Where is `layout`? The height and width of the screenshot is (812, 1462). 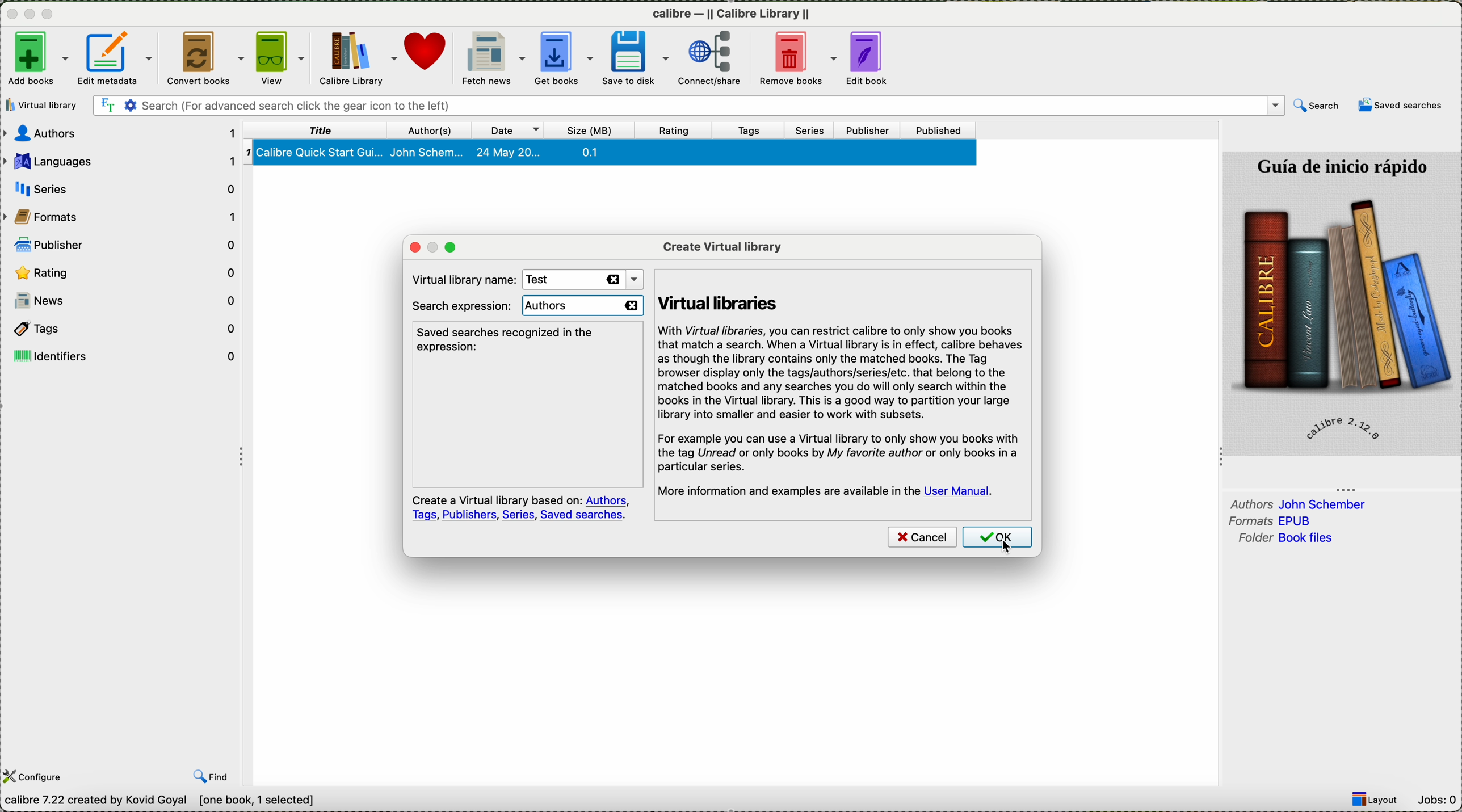
layout is located at coordinates (1379, 800).